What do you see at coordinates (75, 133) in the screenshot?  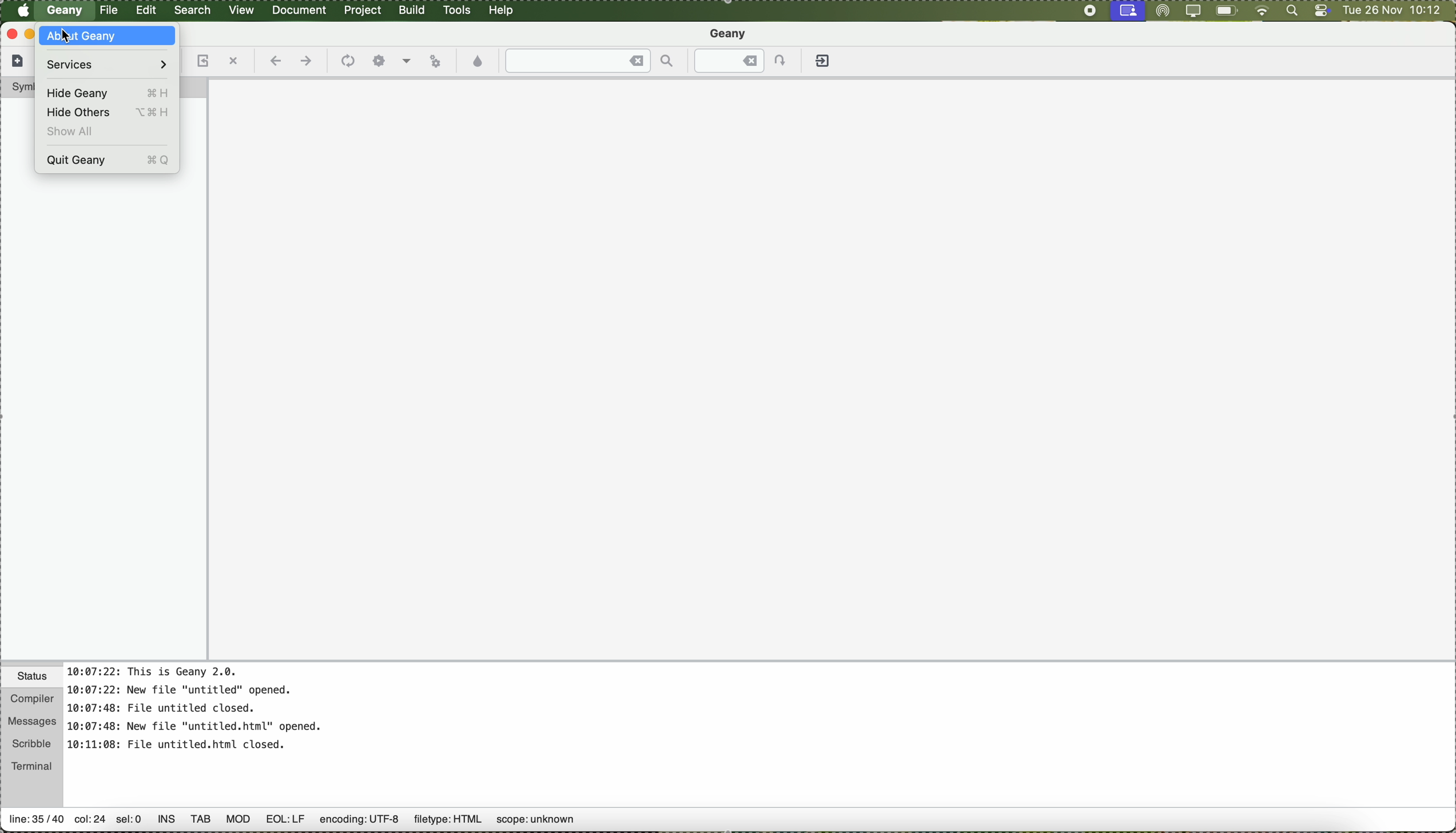 I see `show all` at bounding box center [75, 133].